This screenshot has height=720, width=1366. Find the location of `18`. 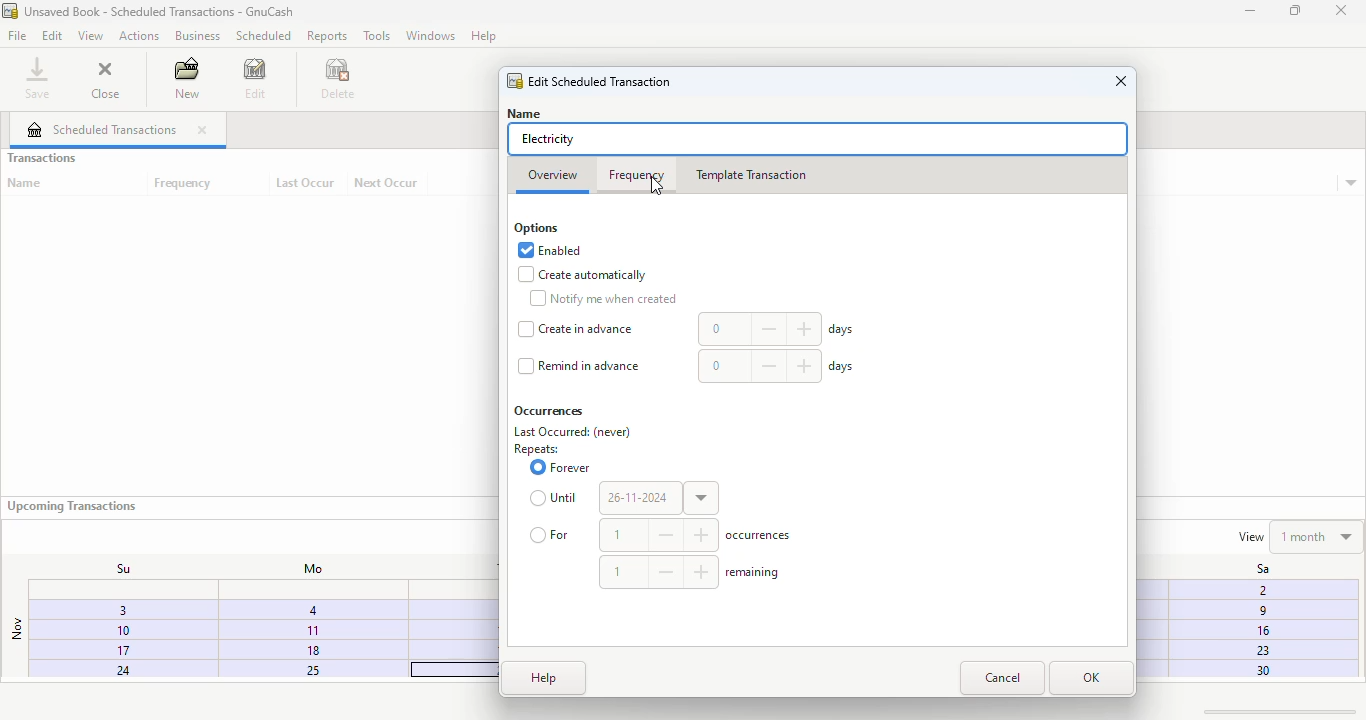

18 is located at coordinates (313, 649).